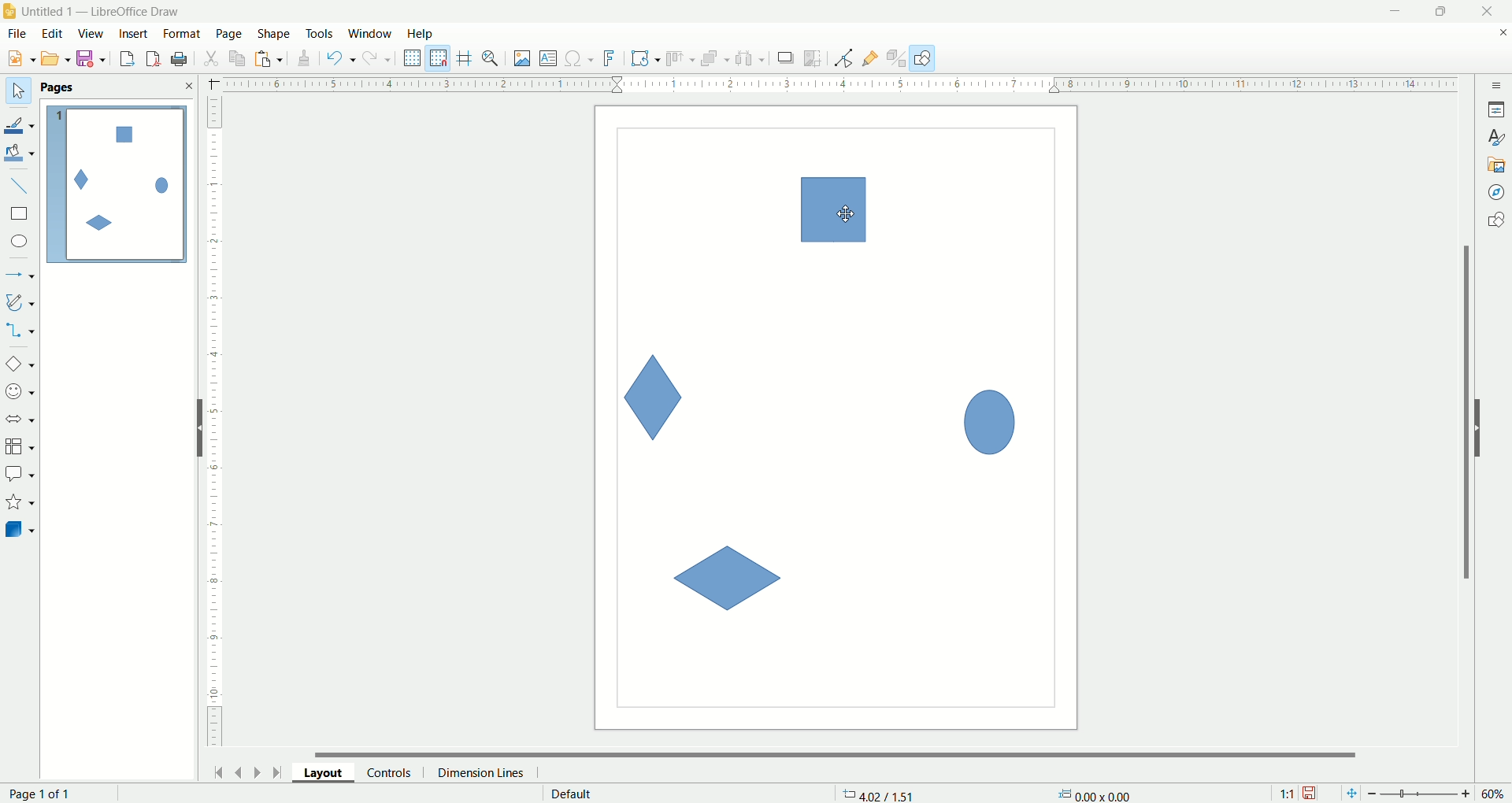 Image resolution: width=1512 pixels, height=803 pixels. What do you see at coordinates (870, 59) in the screenshot?
I see `gluepoint function` at bounding box center [870, 59].